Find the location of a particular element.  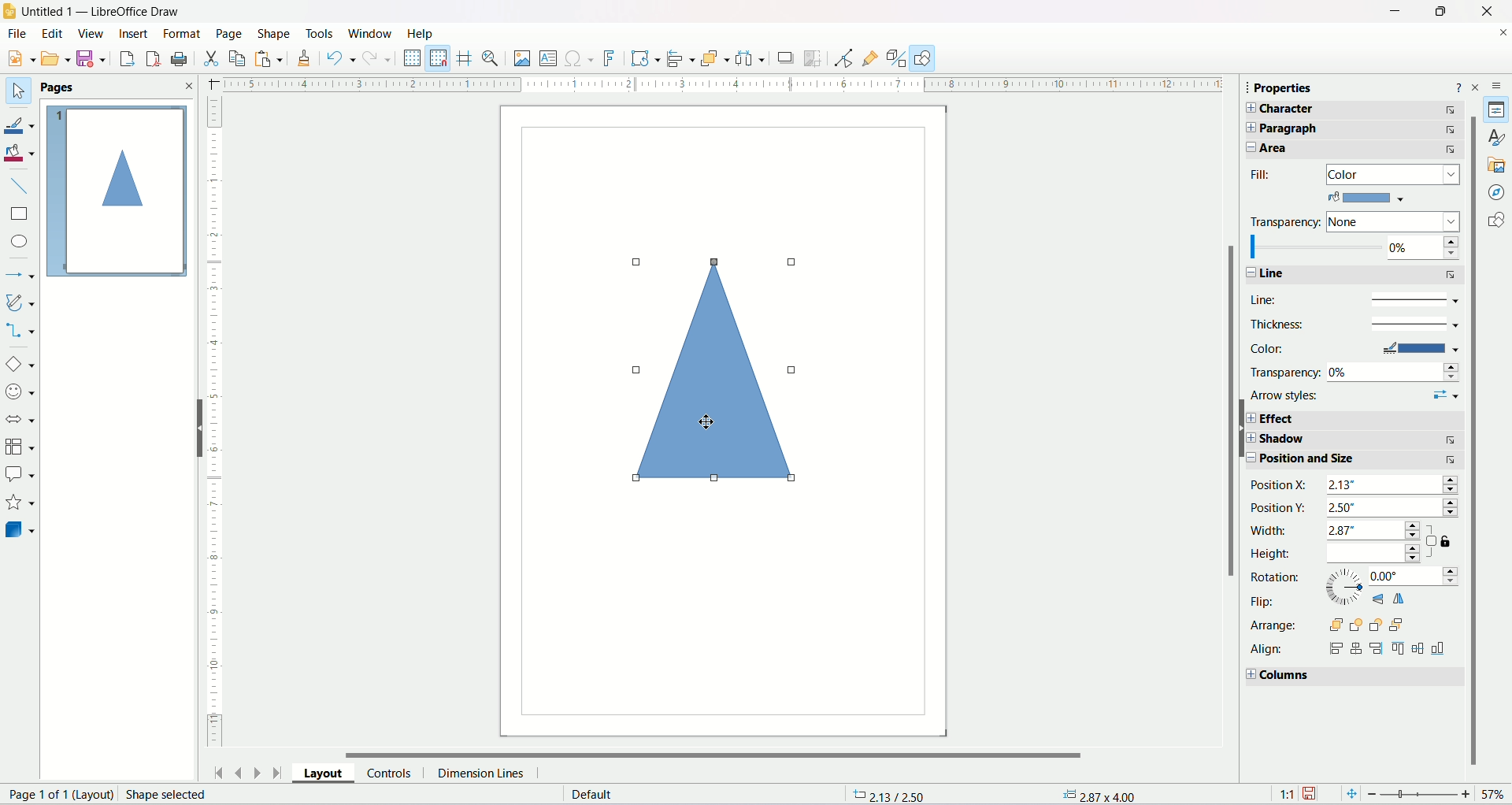

Show gluepoint functions is located at coordinates (869, 57).